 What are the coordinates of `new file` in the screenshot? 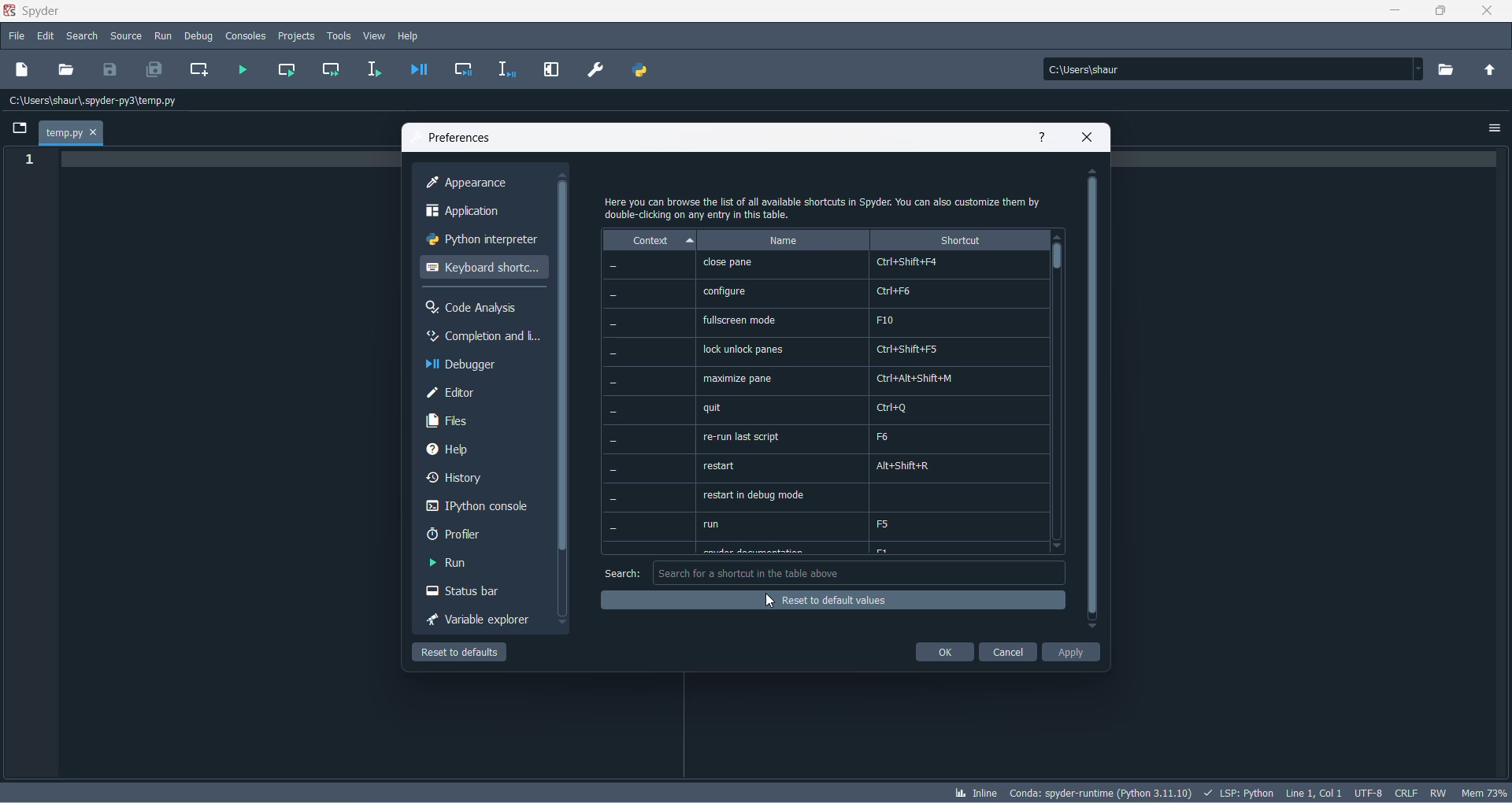 It's located at (22, 70).